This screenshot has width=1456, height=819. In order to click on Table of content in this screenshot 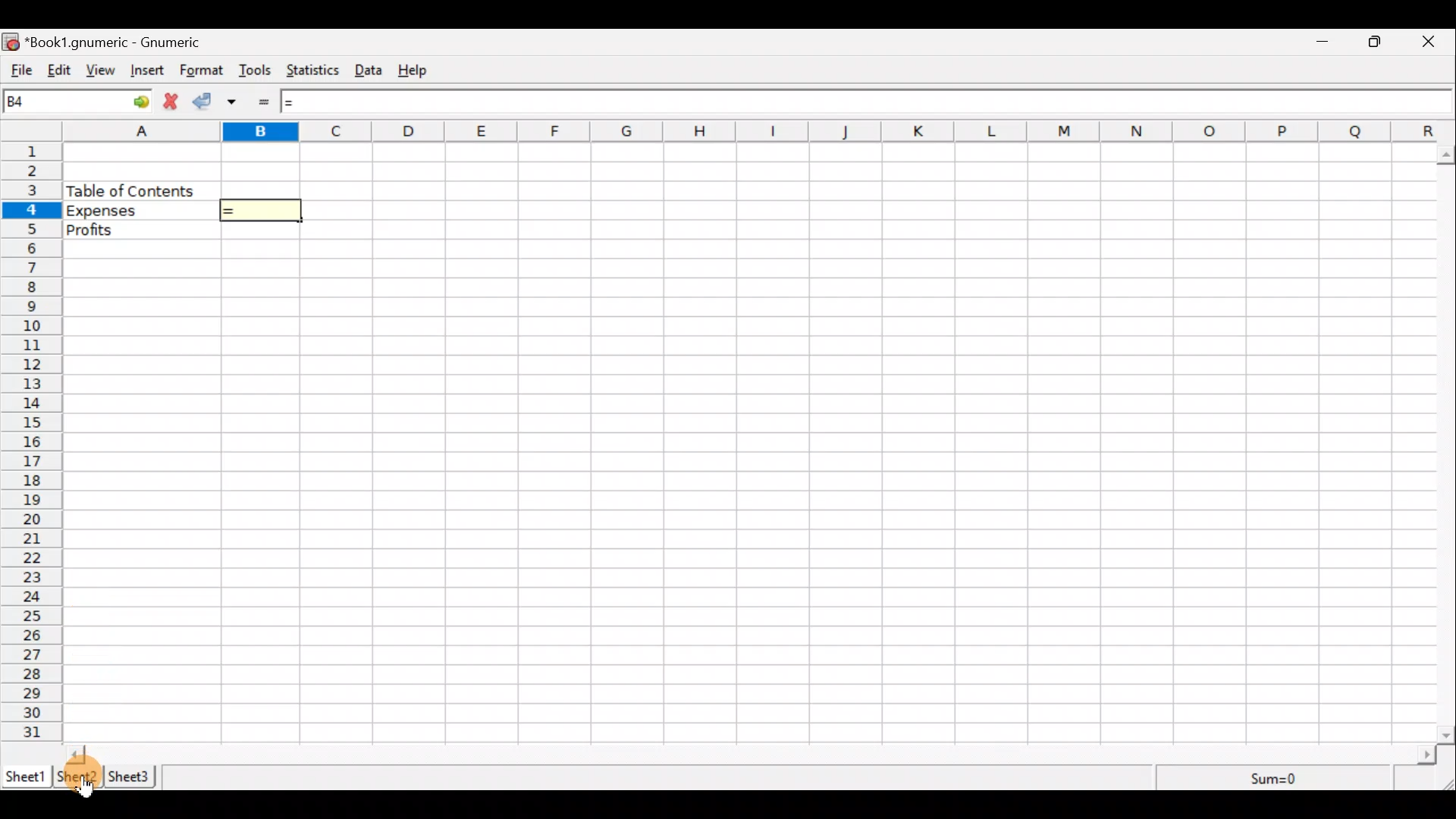, I will do `click(130, 190)`.